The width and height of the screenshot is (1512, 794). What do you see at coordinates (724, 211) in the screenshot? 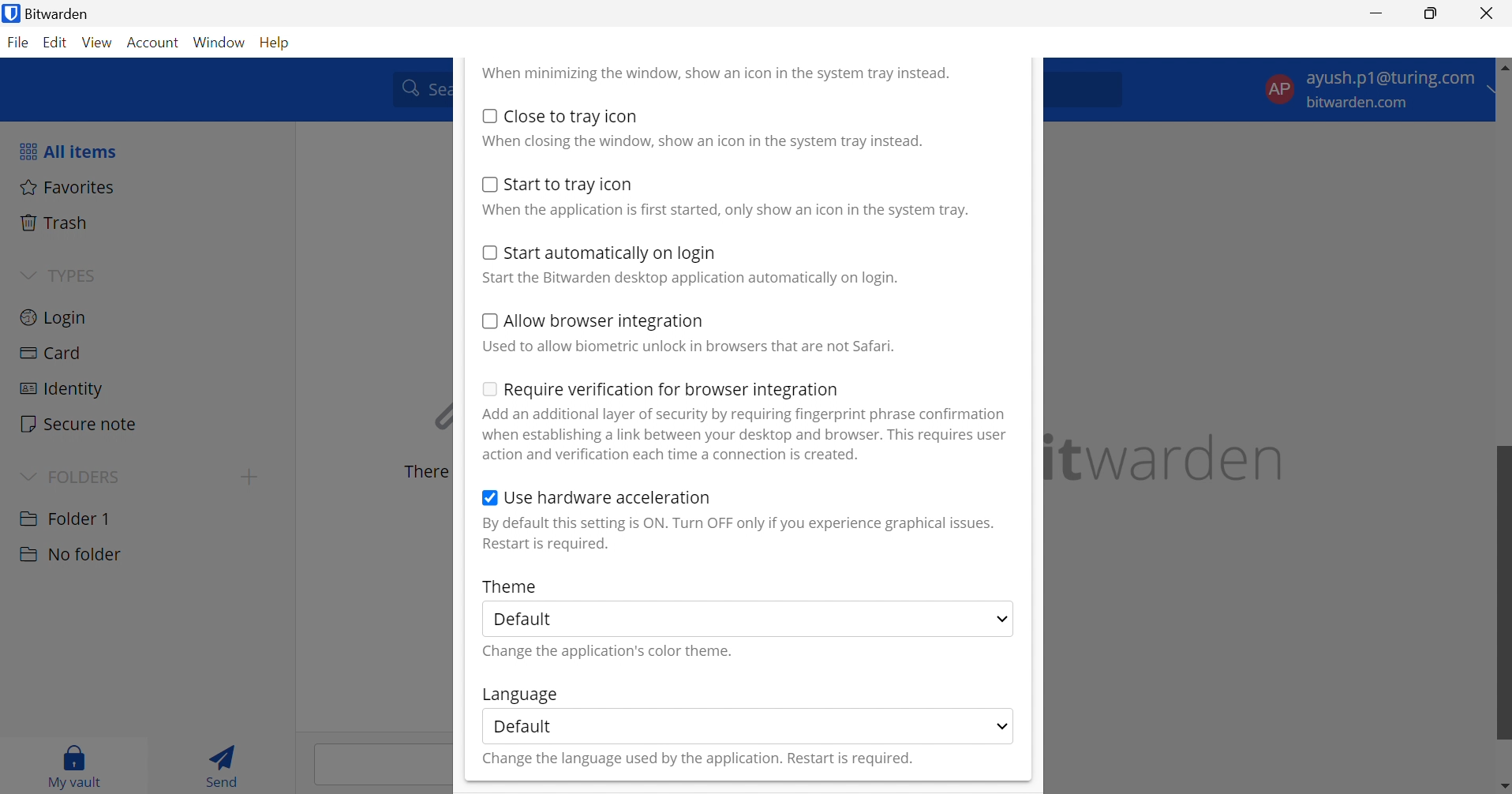
I see `When the application is first started, only show an icon in the system tray.` at bounding box center [724, 211].